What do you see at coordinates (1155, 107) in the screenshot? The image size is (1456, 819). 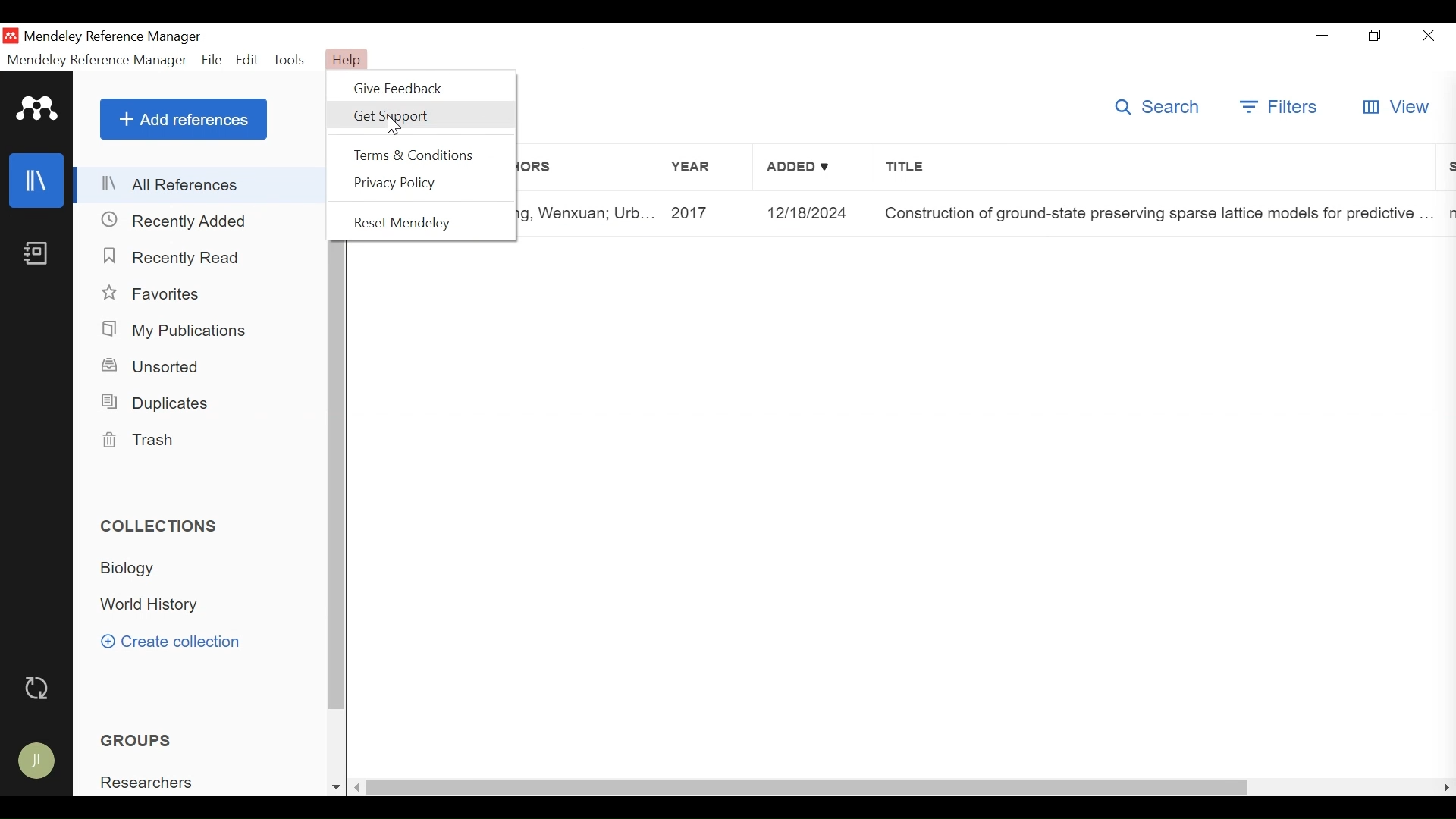 I see `Search` at bounding box center [1155, 107].